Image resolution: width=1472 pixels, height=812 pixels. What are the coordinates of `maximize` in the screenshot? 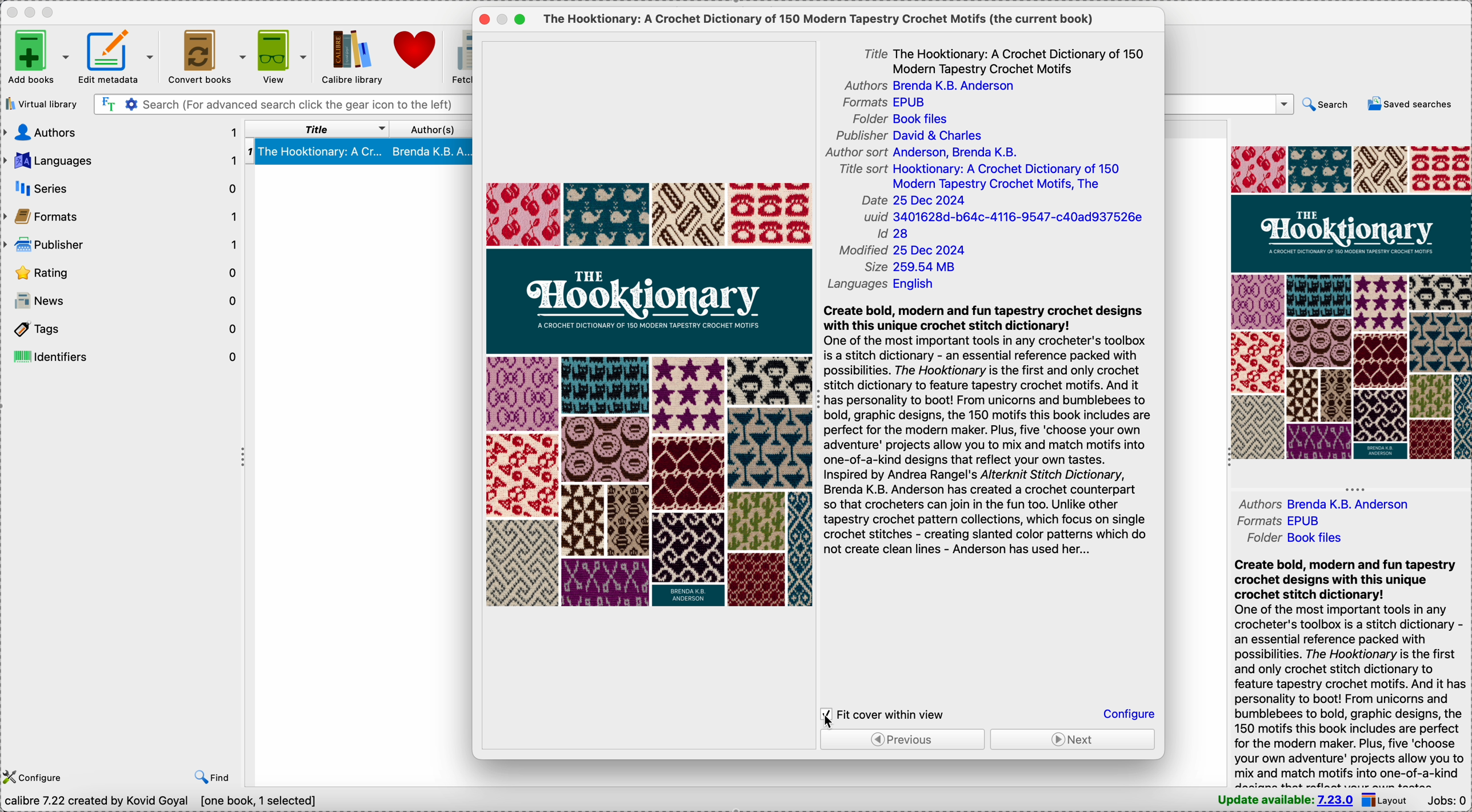 It's located at (51, 12).